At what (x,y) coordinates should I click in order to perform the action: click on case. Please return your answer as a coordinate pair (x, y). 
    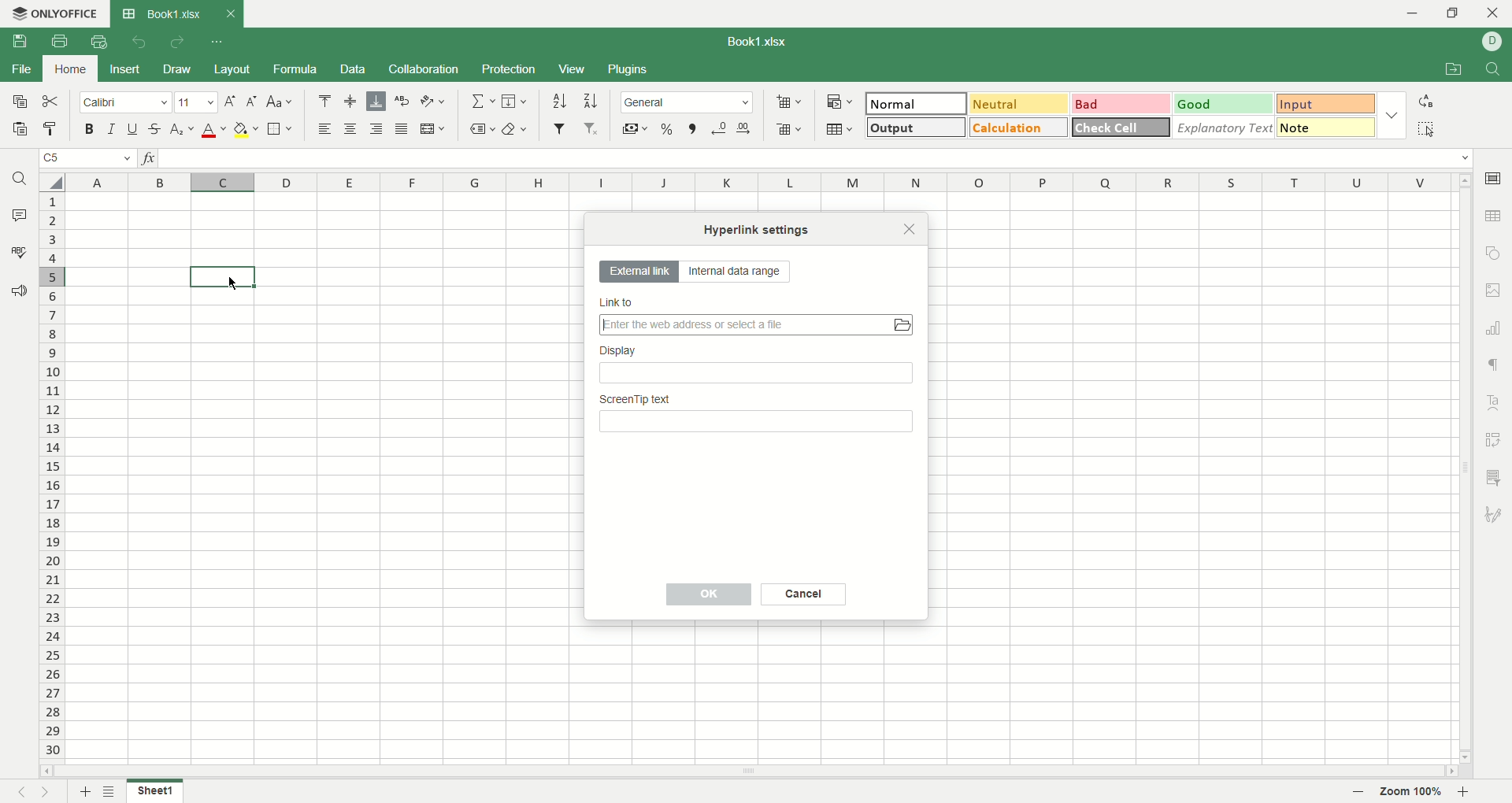
    Looking at the image, I should click on (280, 101).